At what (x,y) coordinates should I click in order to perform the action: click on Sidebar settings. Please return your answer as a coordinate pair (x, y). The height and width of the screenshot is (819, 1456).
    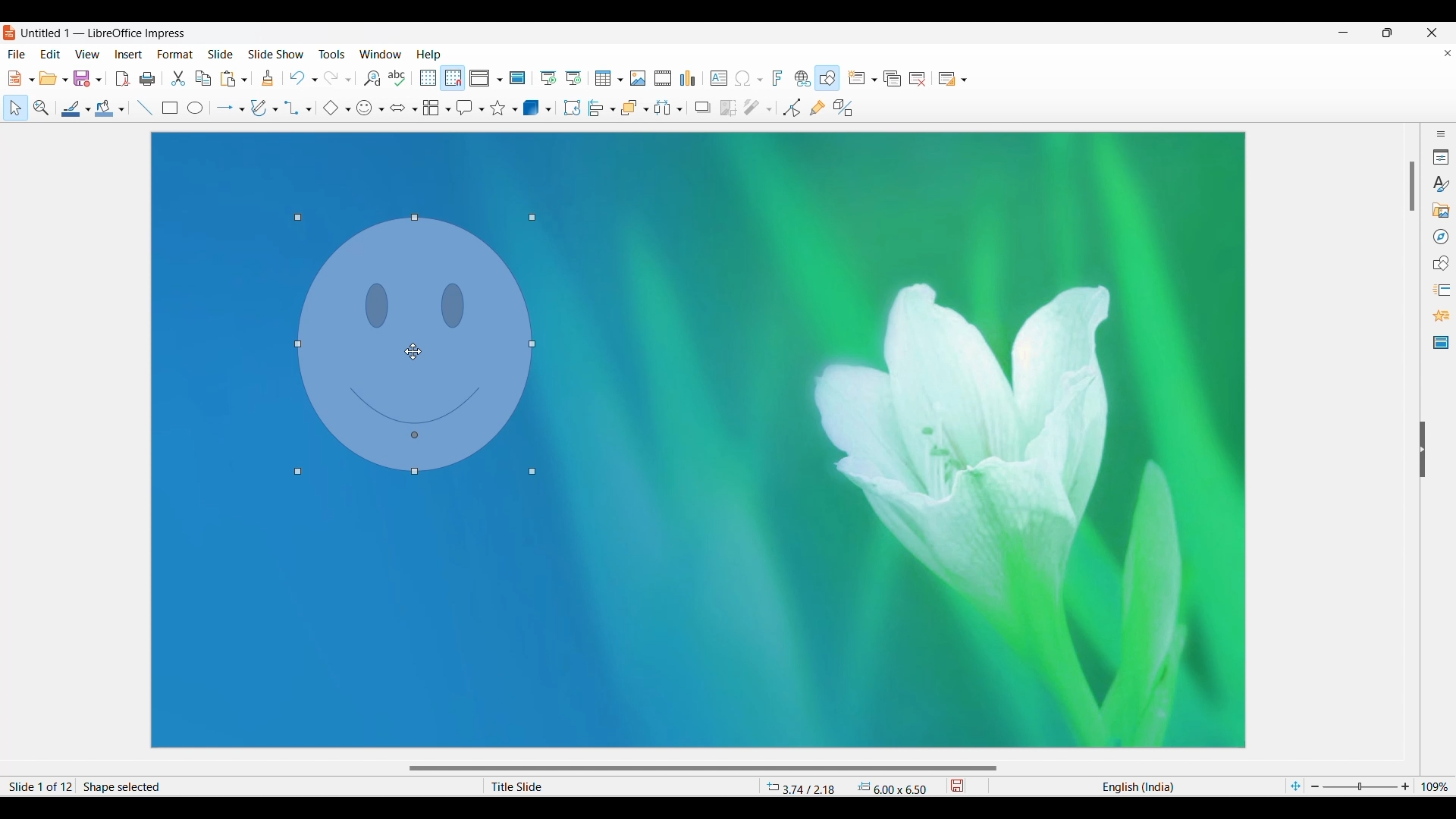
    Looking at the image, I should click on (1441, 133).